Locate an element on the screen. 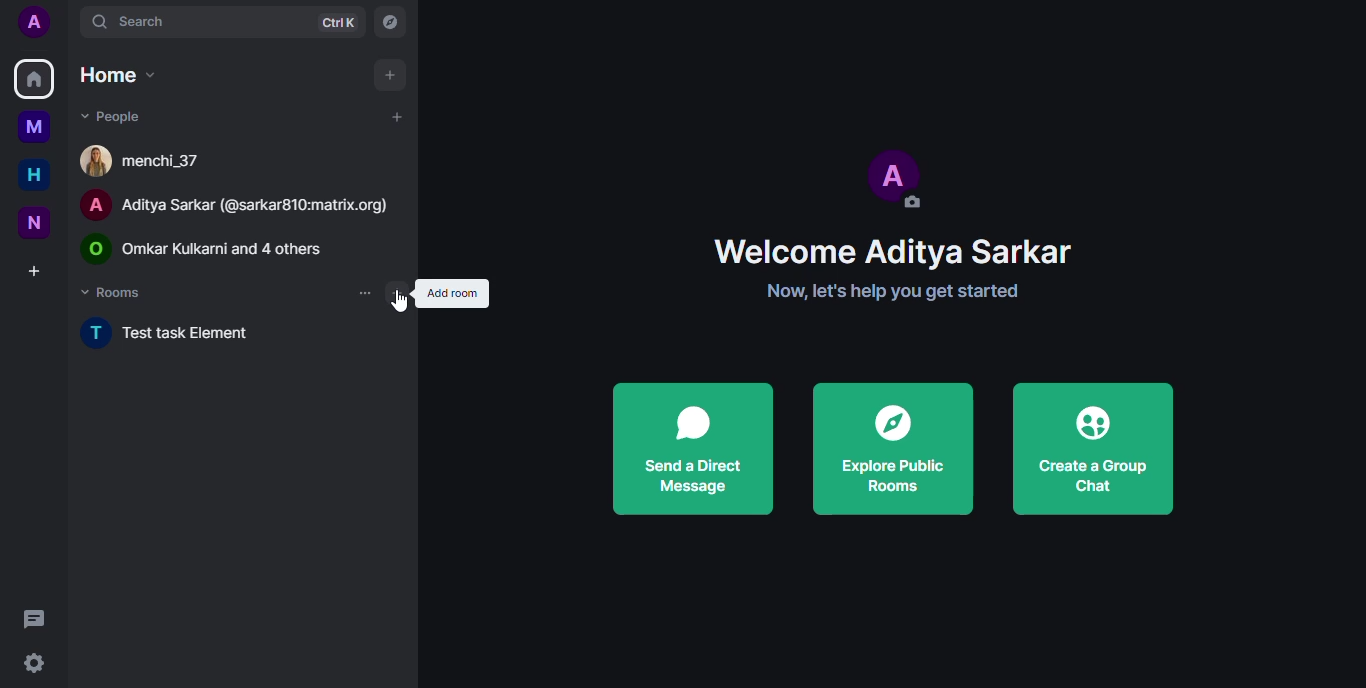 The image size is (1366, 688). Welcome Aditya Sarkar is located at coordinates (851, 248).